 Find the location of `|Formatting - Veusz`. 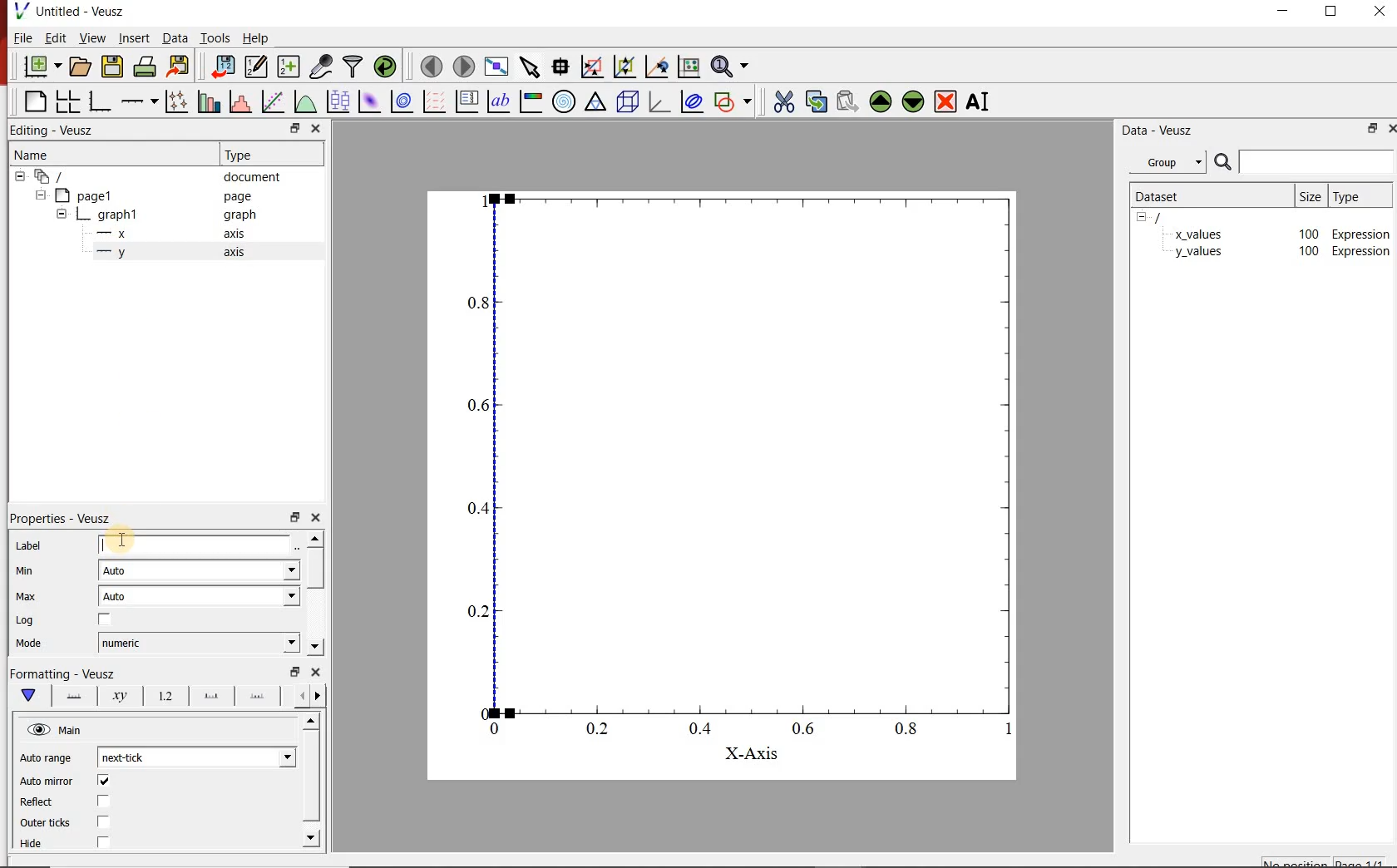

|Formatting - Veusz is located at coordinates (71, 673).